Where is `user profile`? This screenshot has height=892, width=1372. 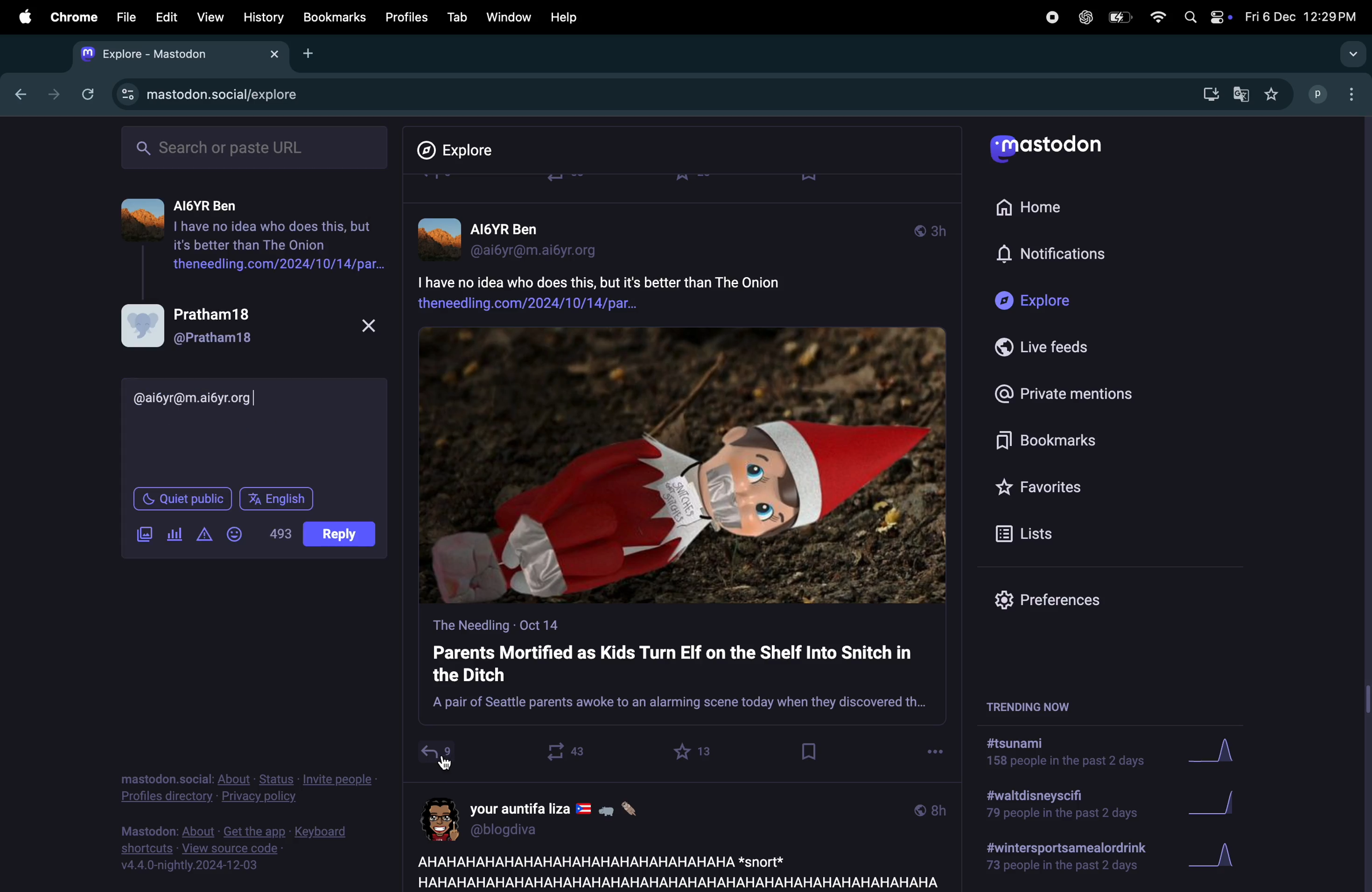
user profile is located at coordinates (248, 325).